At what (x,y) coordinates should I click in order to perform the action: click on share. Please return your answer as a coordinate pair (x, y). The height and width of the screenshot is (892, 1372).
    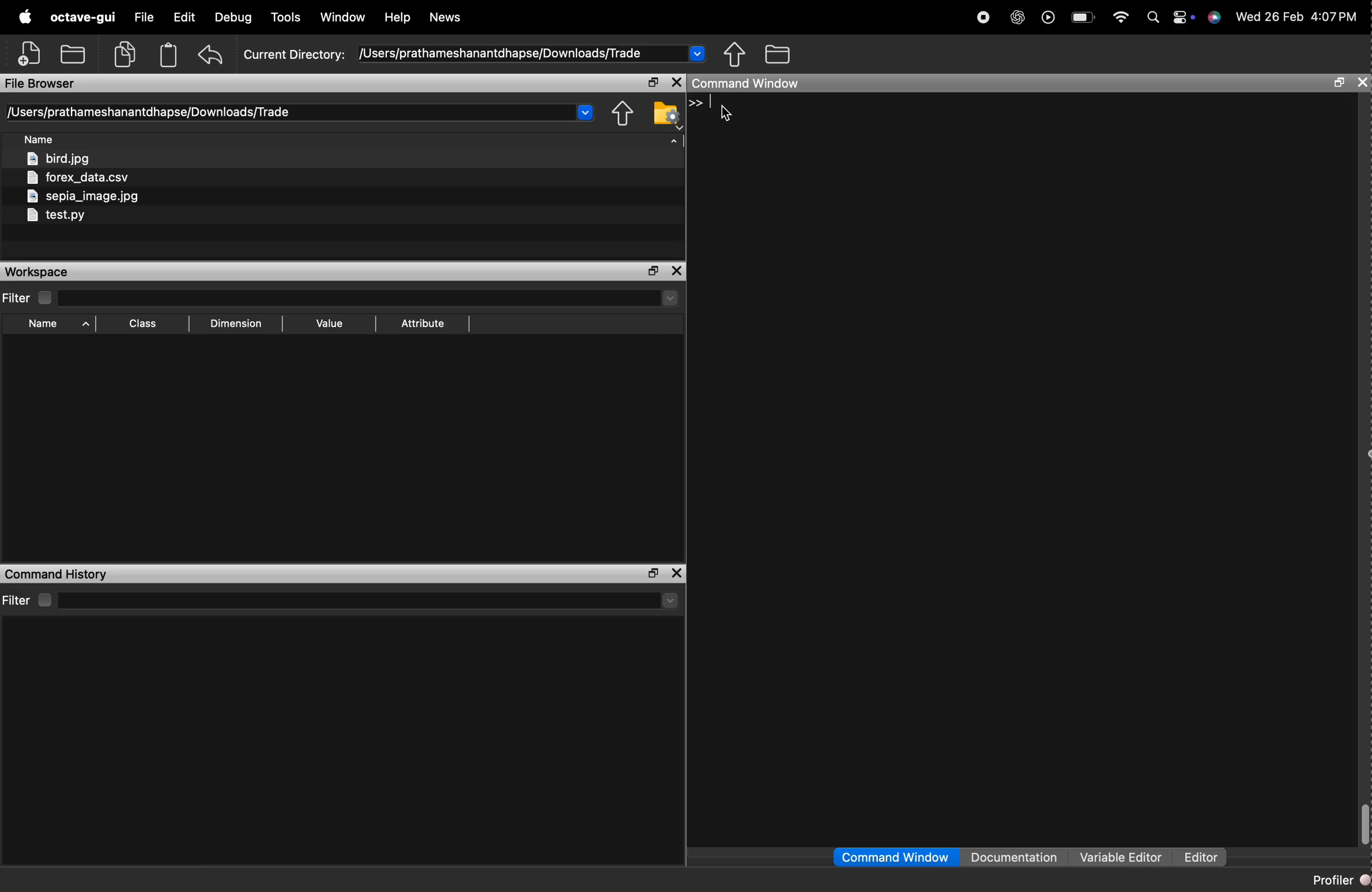
    Looking at the image, I should click on (624, 114).